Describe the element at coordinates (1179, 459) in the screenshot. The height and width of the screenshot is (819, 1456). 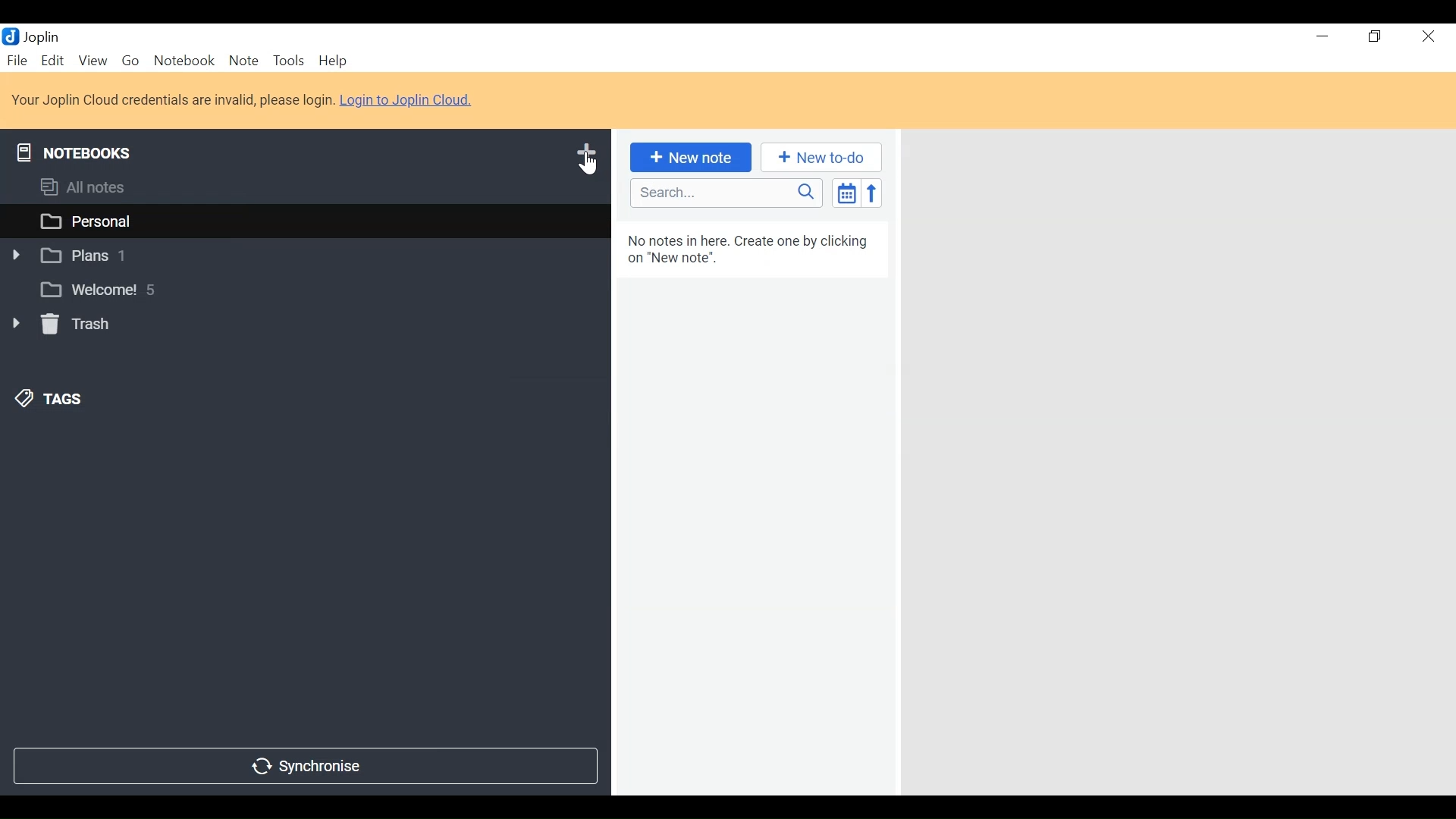
I see `Display` at that location.